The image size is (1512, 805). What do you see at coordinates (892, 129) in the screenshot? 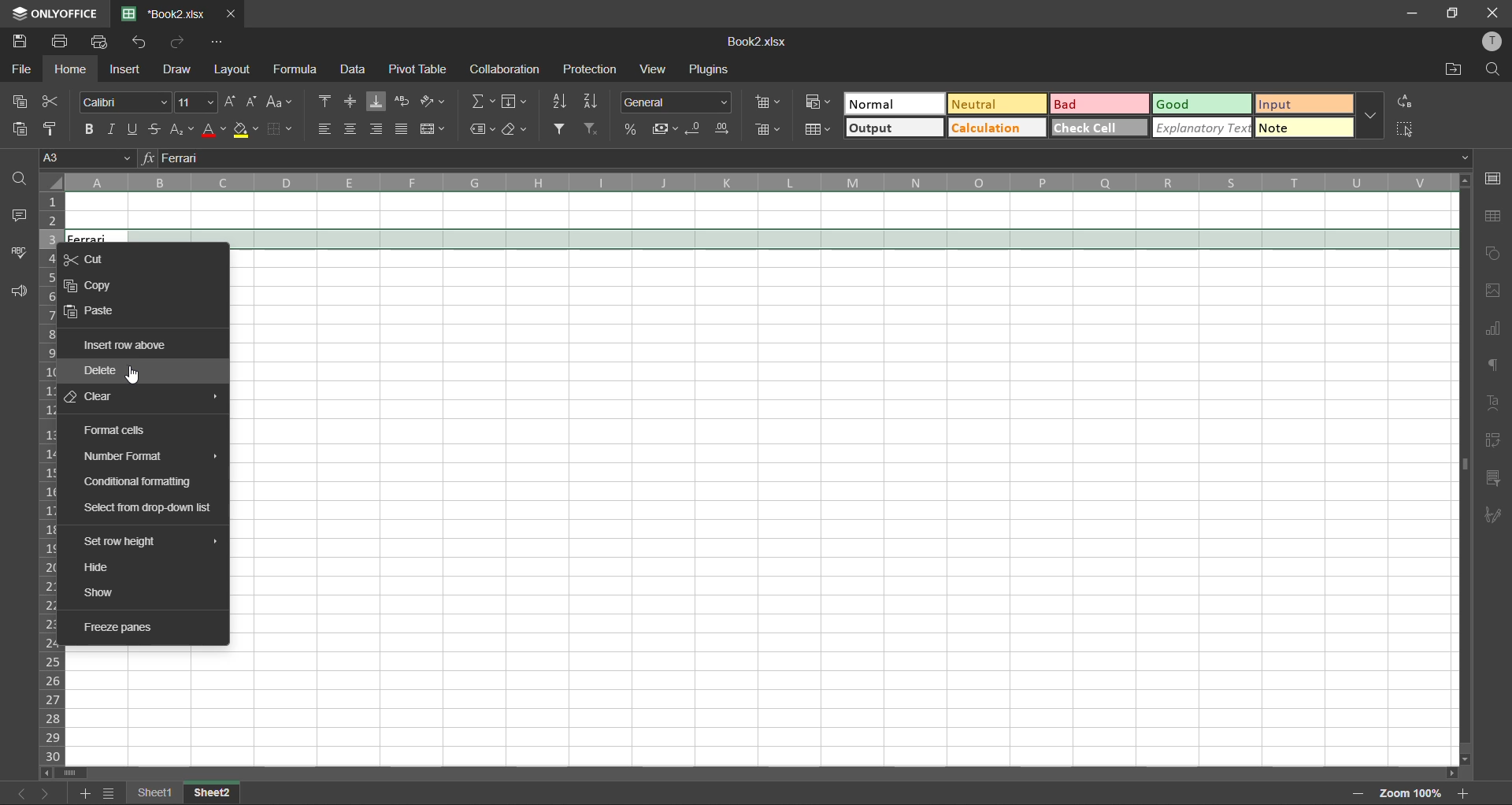
I see `output` at bounding box center [892, 129].